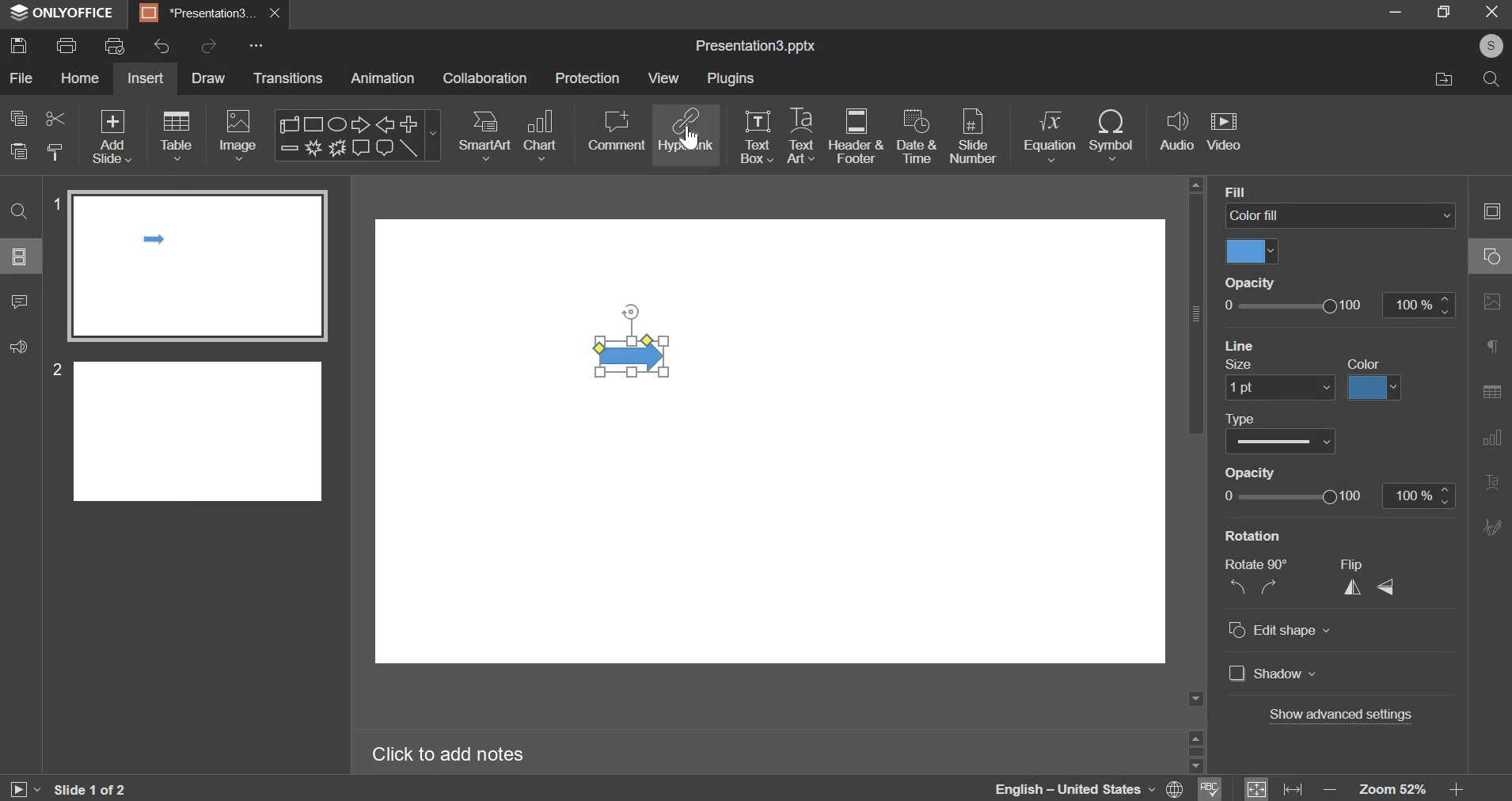 This screenshot has width=1512, height=801. Describe the element at coordinates (1240, 344) in the screenshot. I see `line` at that location.